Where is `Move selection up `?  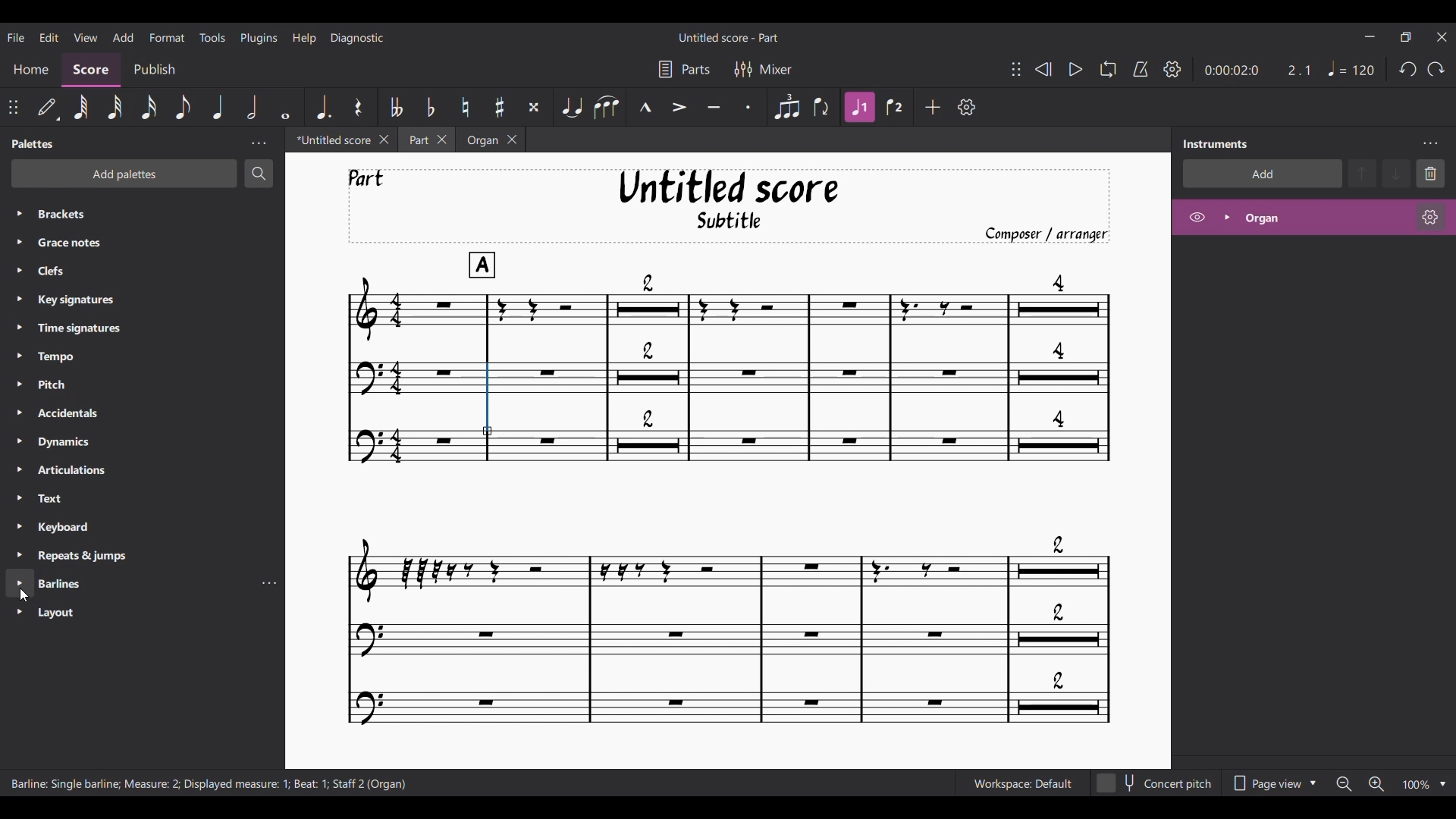
Move selection up  is located at coordinates (1362, 173).